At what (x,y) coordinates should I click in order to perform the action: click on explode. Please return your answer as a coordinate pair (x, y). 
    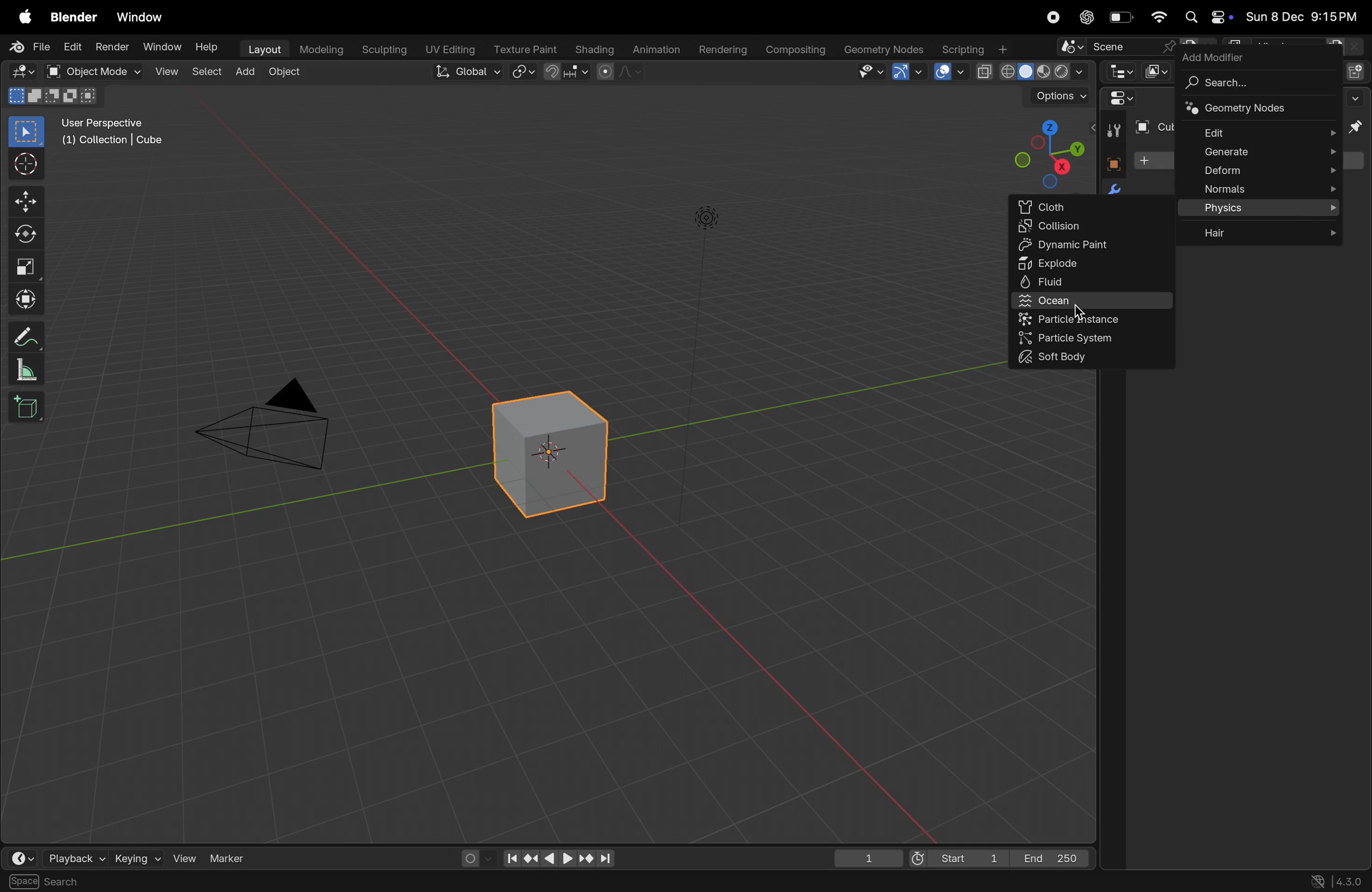
    Looking at the image, I should click on (1093, 263).